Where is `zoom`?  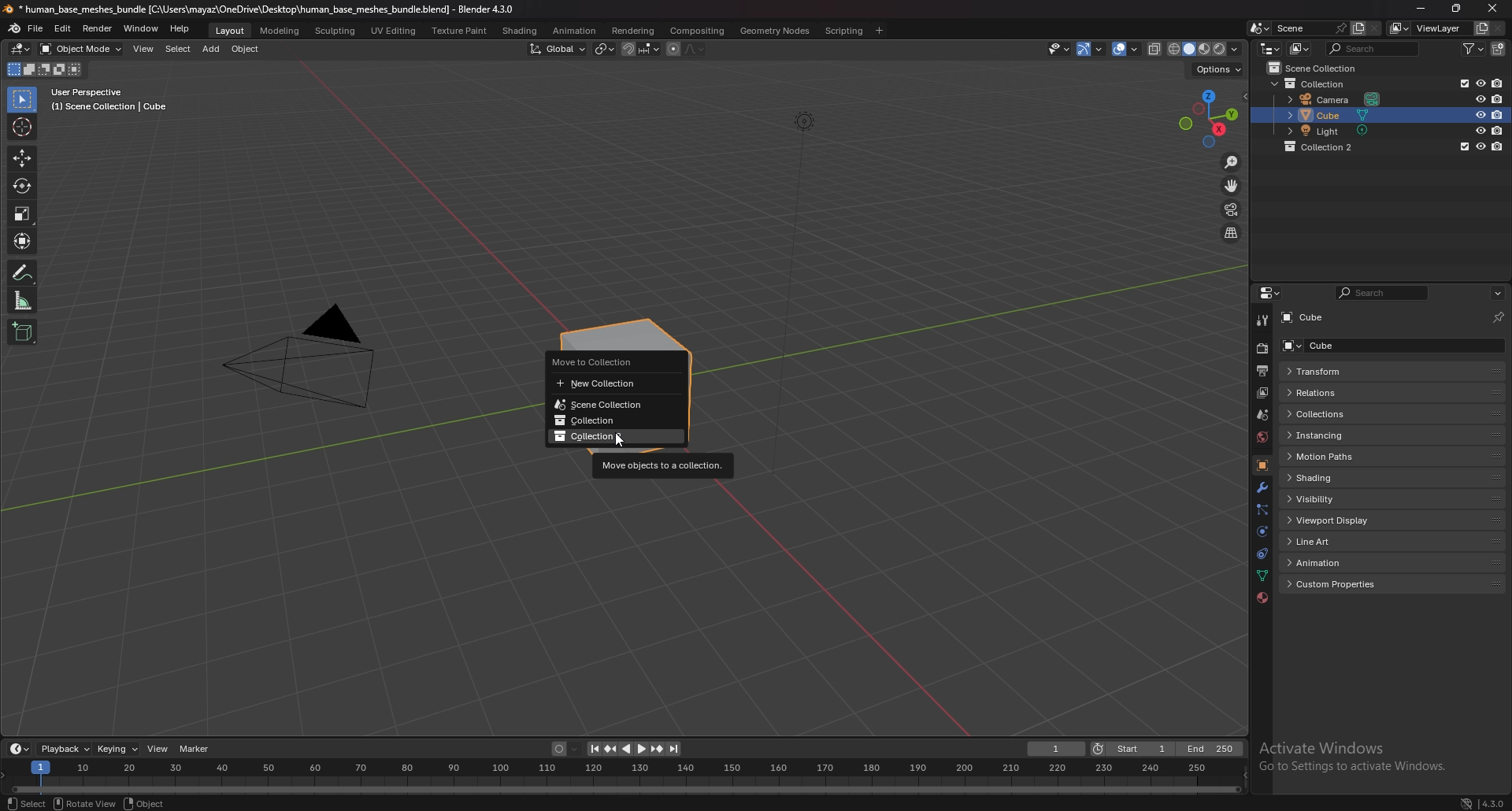 zoom is located at coordinates (1232, 161).